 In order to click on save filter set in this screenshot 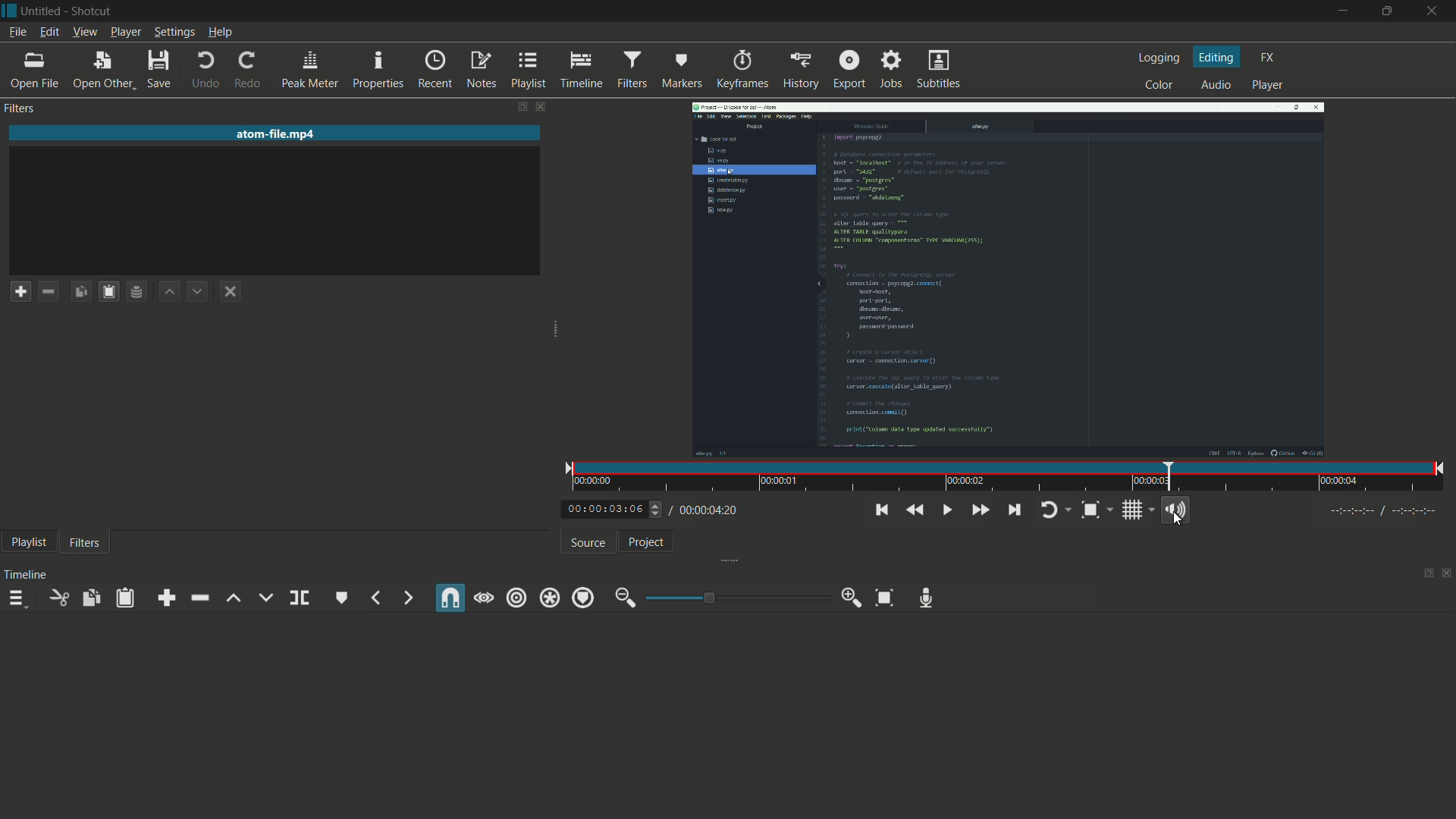, I will do `click(137, 291)`.